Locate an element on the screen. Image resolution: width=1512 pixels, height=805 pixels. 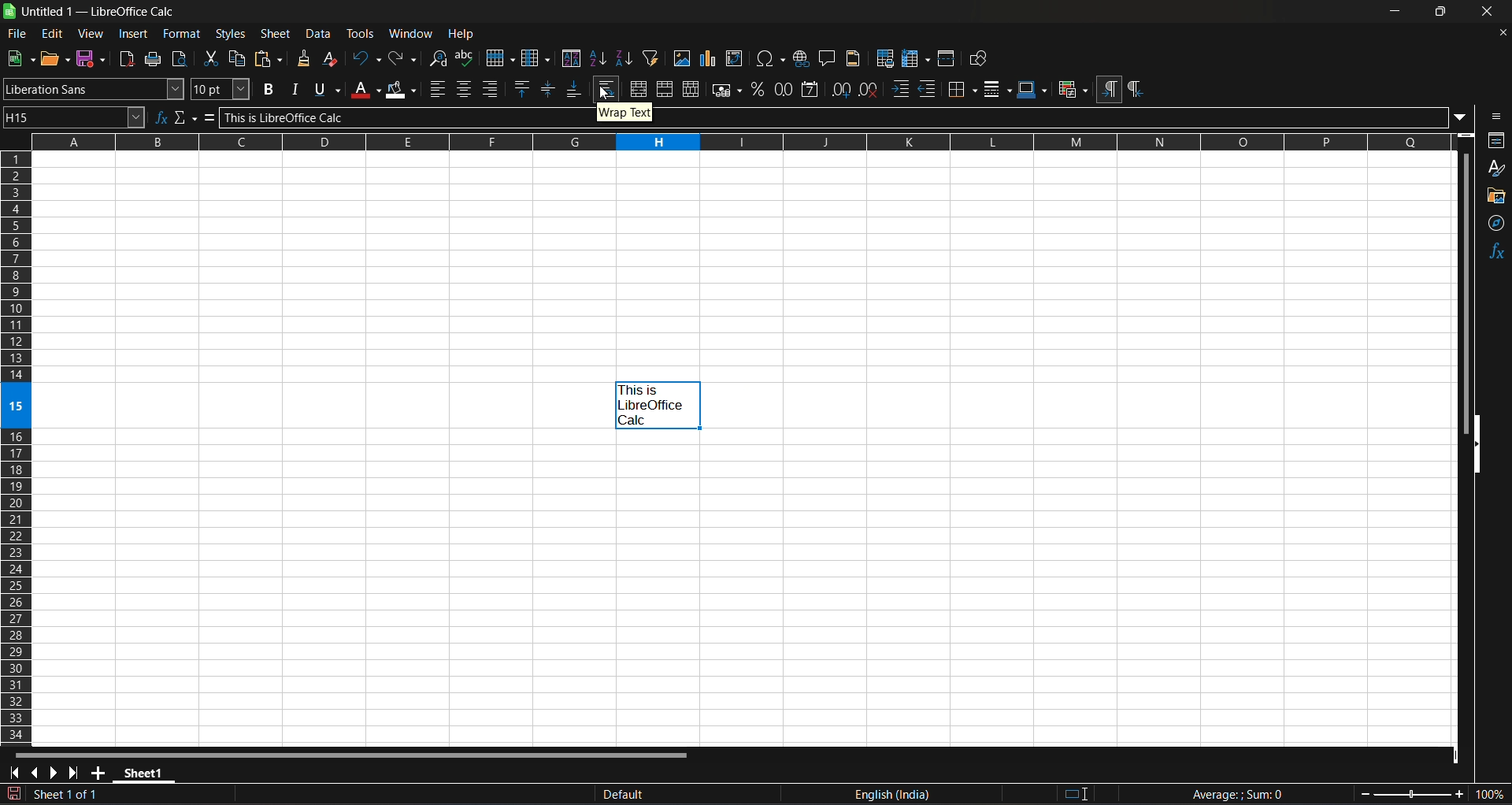
insert special characters is located at coordinates (772, 57).